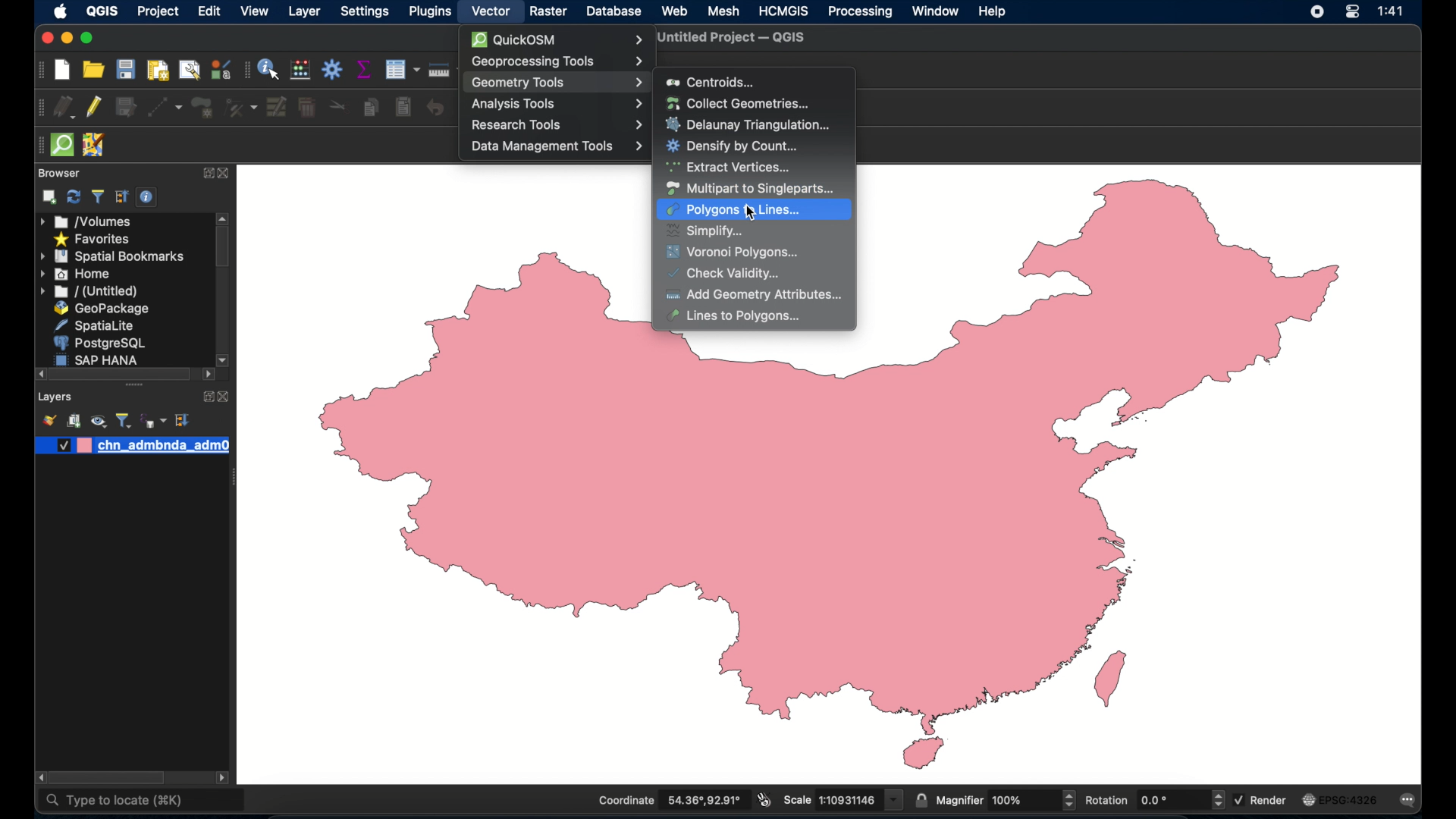 The image size is (1456, 819). Describe the element at coordinates (190, 70) in the screenshot. I see `open layout manager` at that location.